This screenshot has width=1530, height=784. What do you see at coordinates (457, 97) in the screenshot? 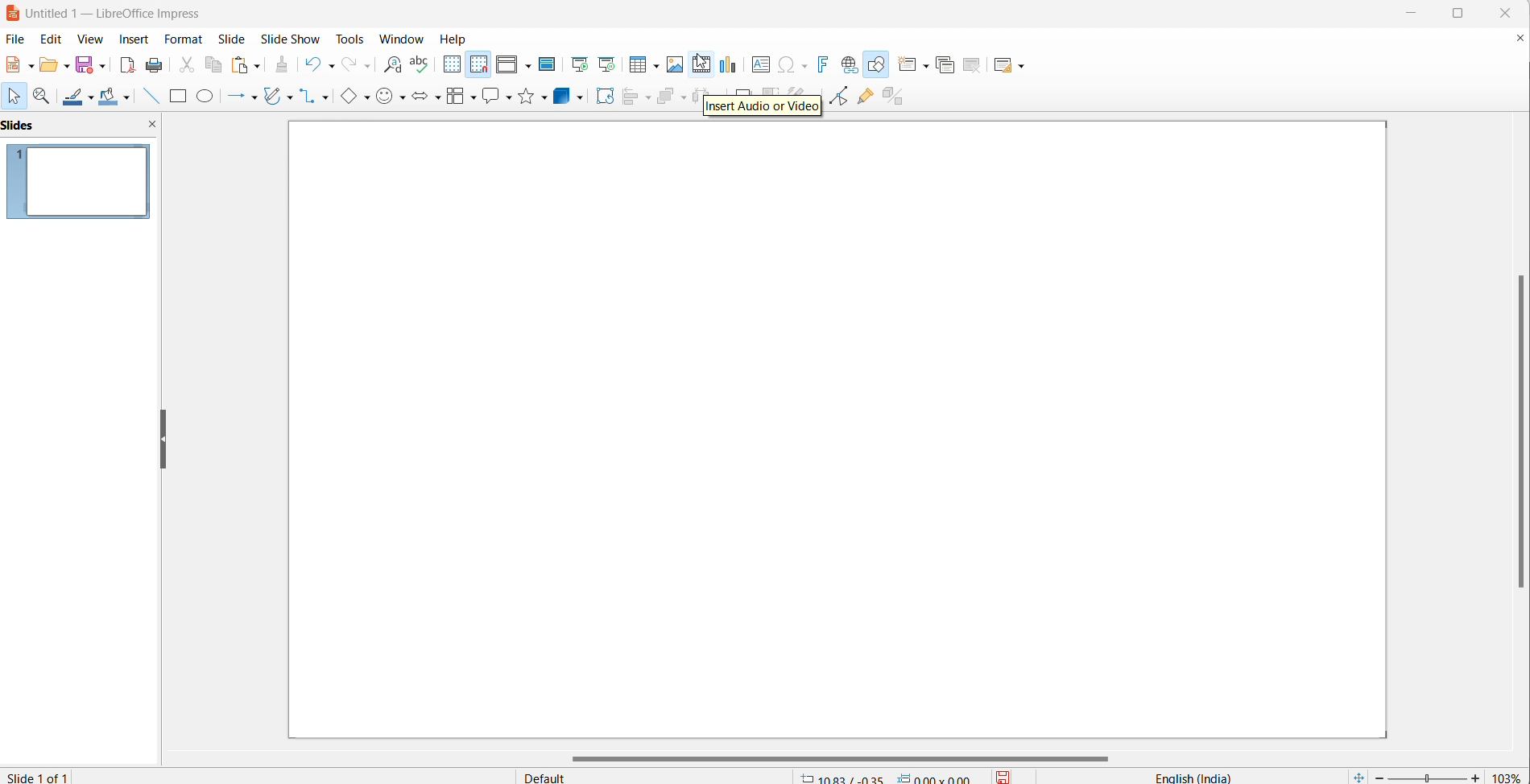
I see `flow charts` at bounding box center [457, 97].